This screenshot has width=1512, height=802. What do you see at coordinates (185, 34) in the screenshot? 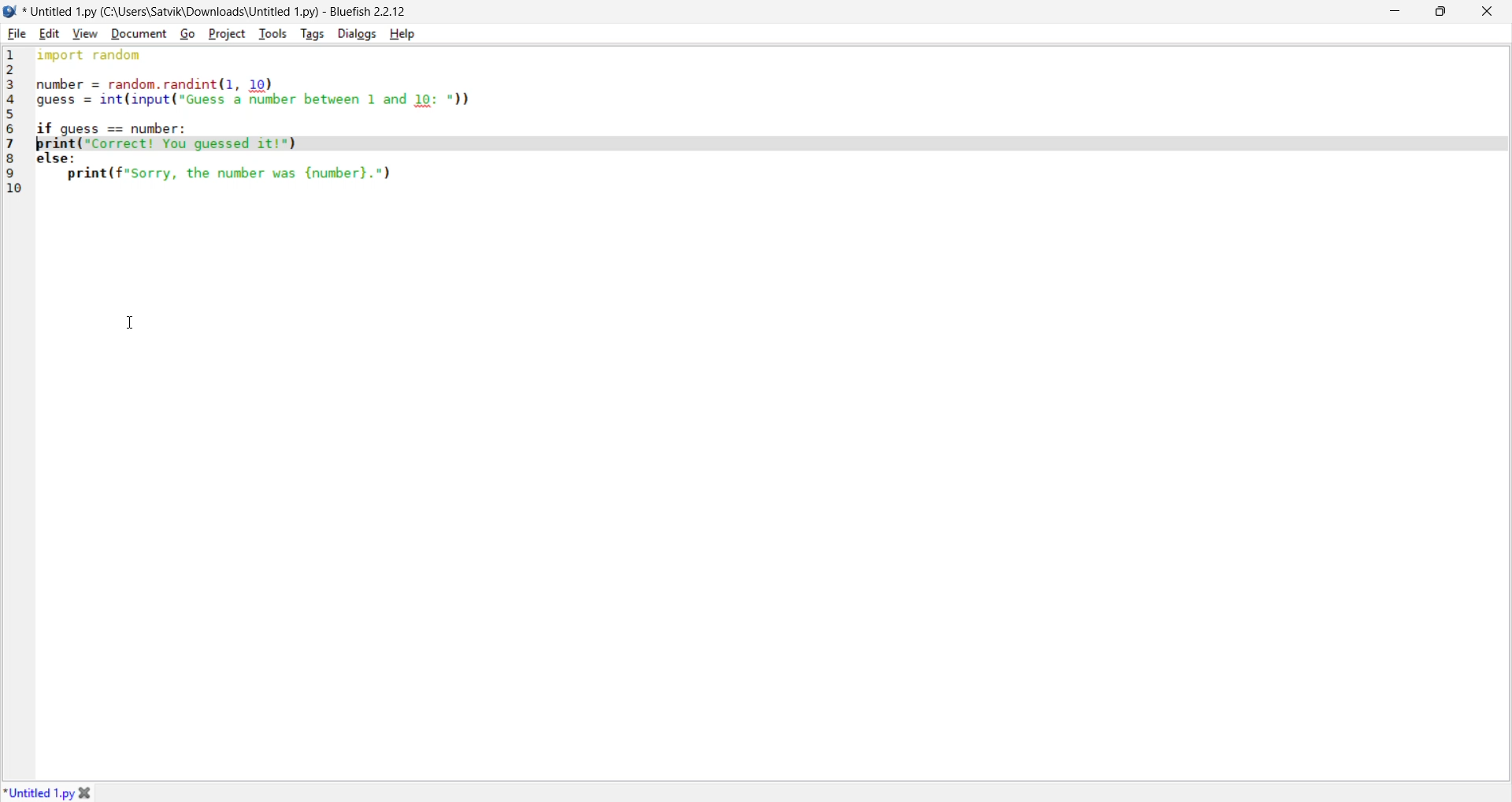
I see `go` at bounding box center [185, 34].